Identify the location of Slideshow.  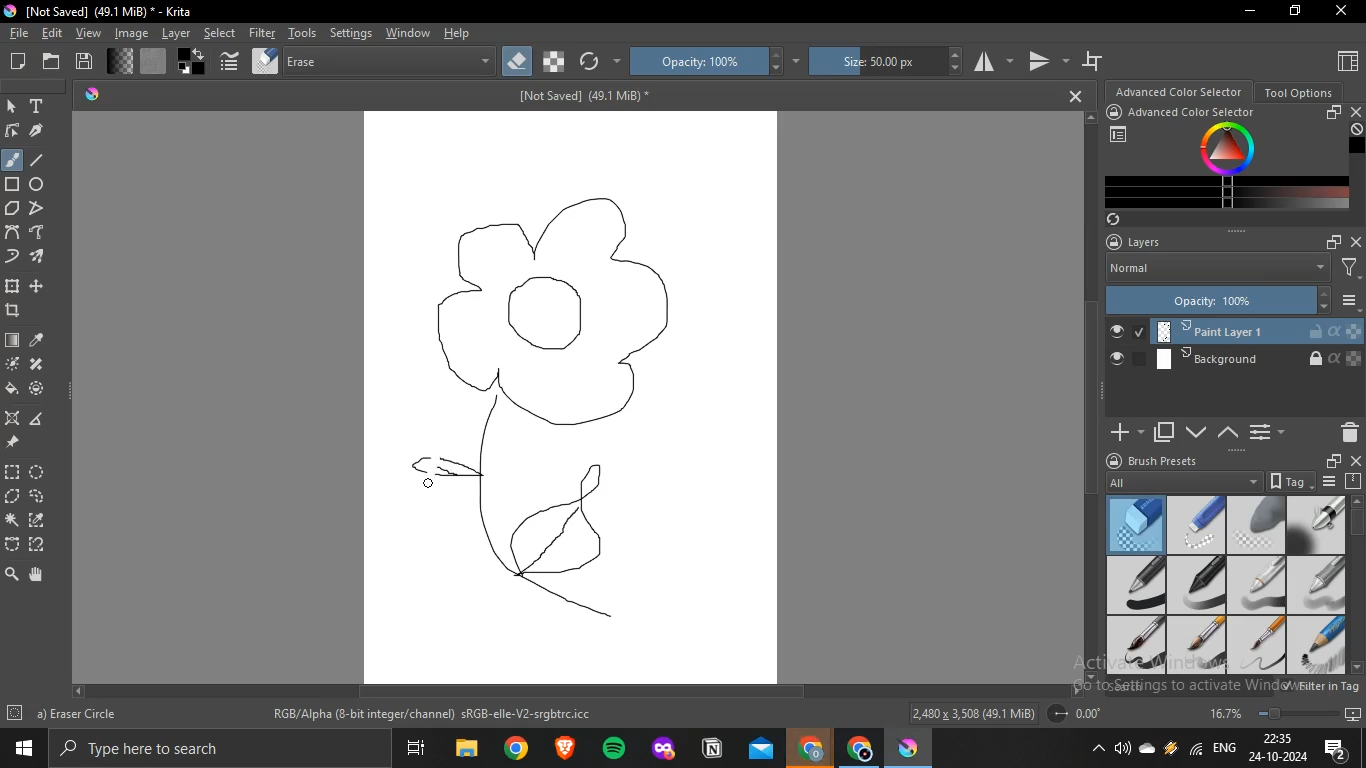
(1353, 712).